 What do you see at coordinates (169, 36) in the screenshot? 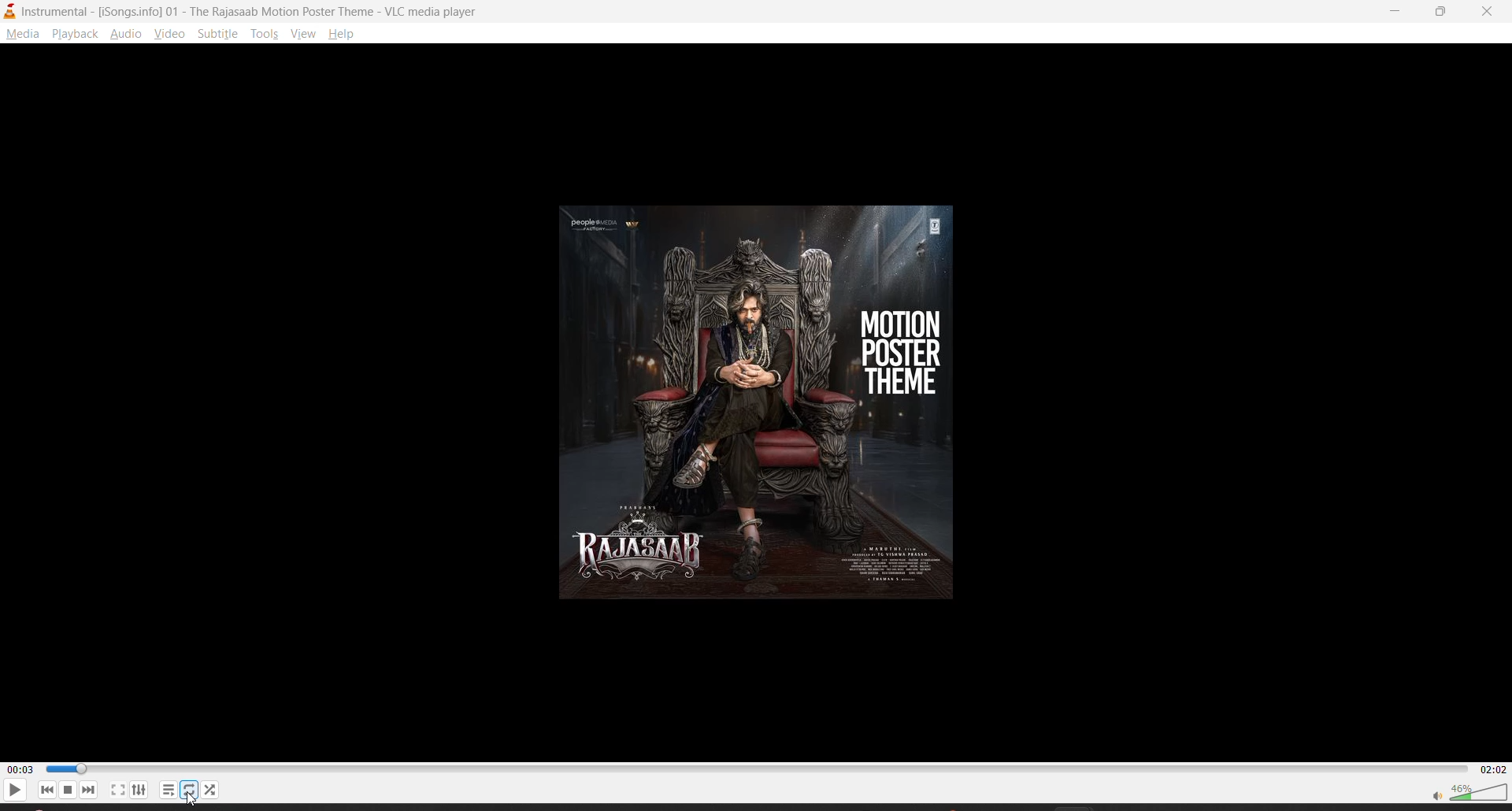
I see `video` at bounding box center [169, 36].